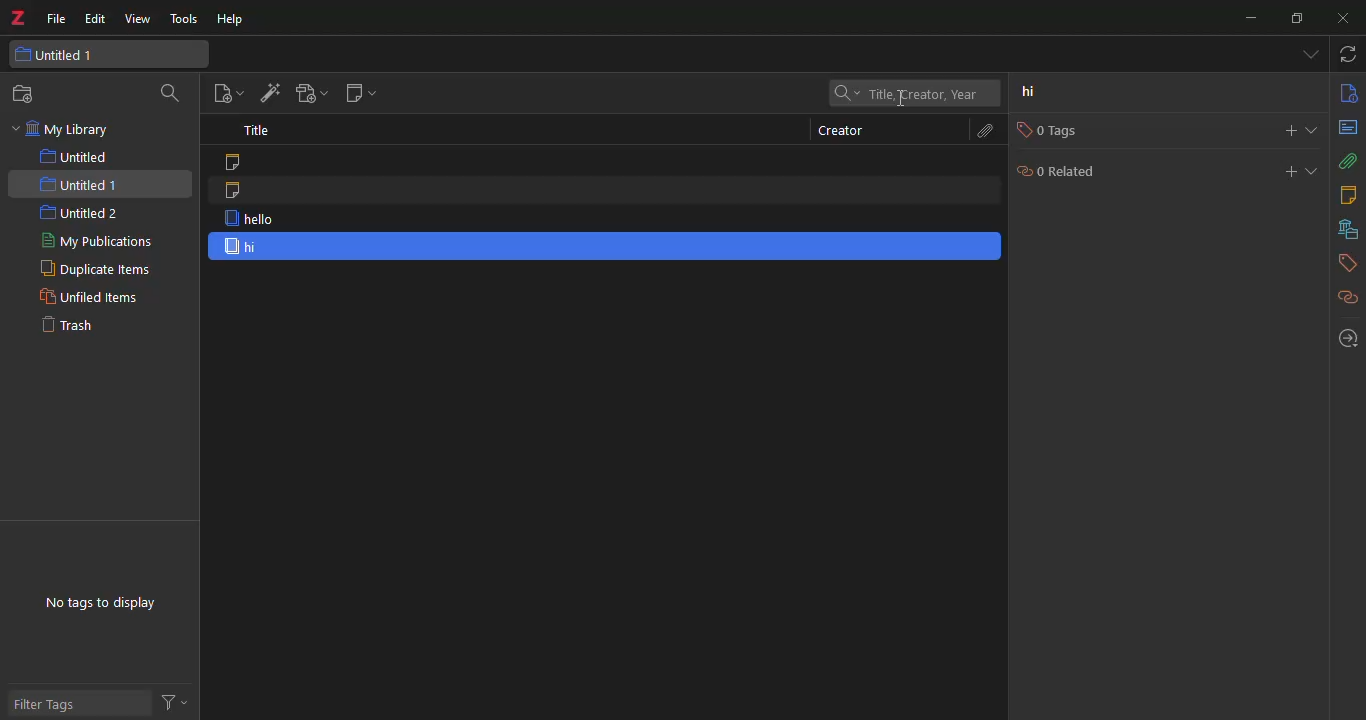 The image size is (1366, 720). What do you see at coordinates (96, 19) in the screenshot?
I see `edit` at bounding box center [96, 19].